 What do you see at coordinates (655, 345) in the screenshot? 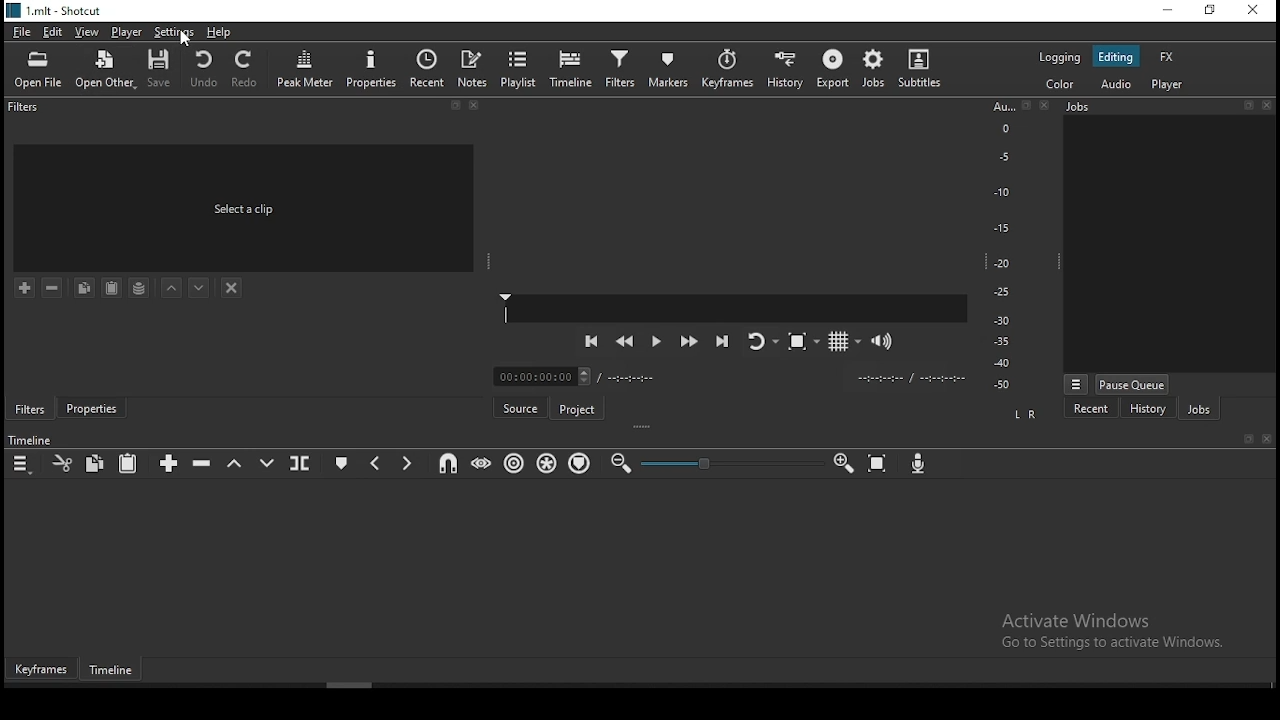
I see `play/pause` at bounding box center [655, 345].